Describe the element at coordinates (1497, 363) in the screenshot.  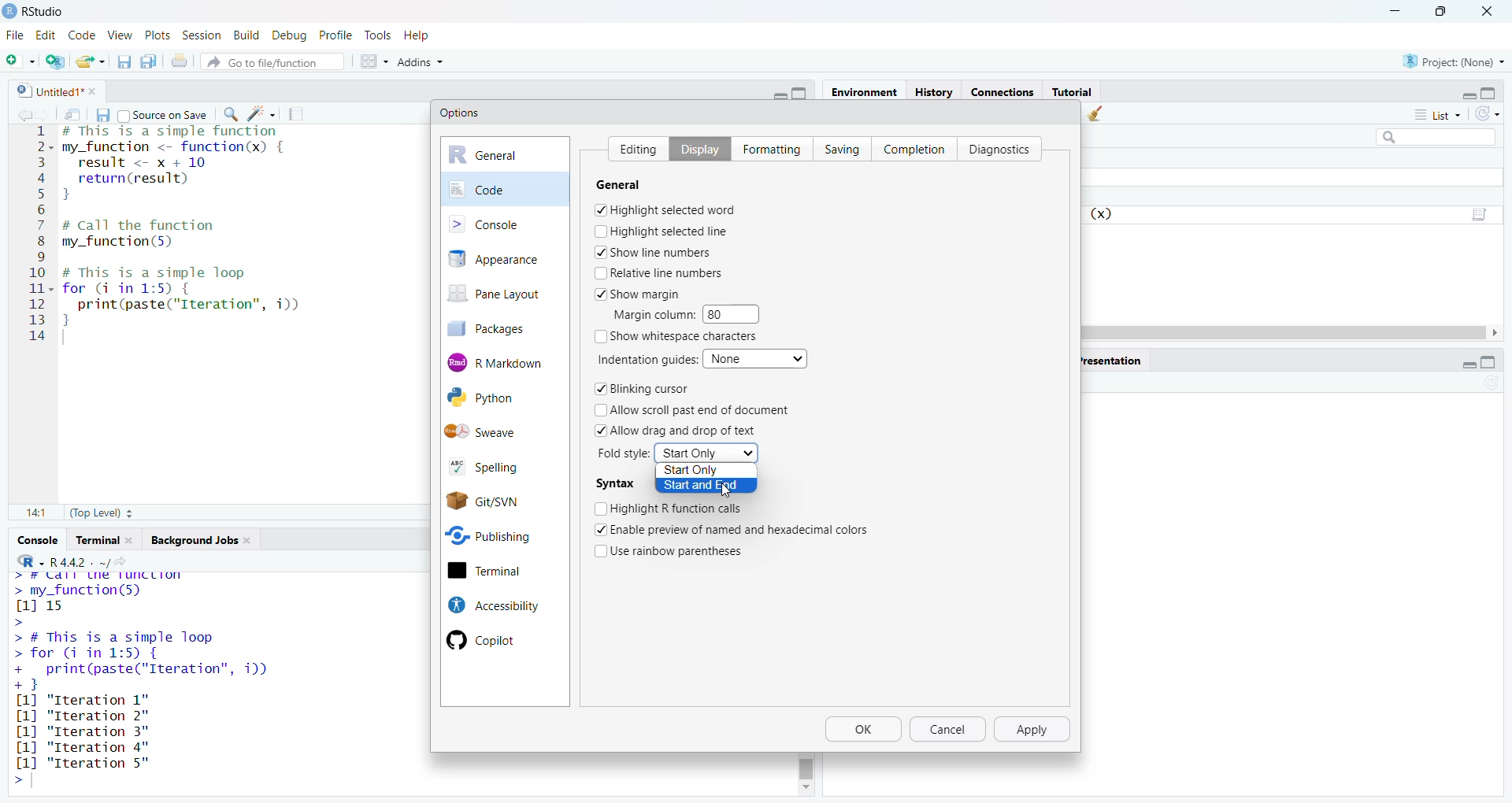
I see `maximize` at that location.